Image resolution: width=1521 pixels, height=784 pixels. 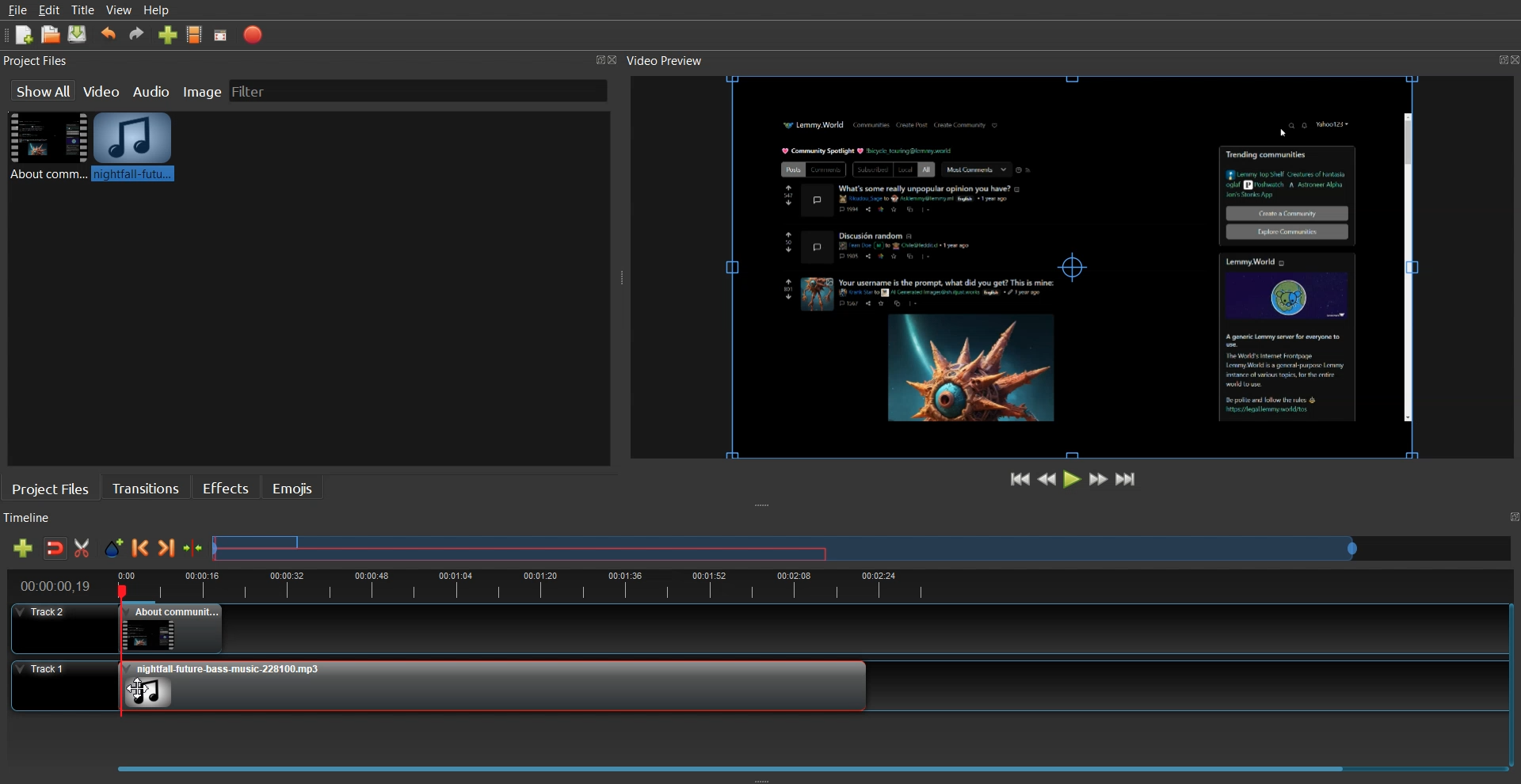 What do you see at coordinates (153, 90) in the screenshot?
I see `Audio` at bounding box center [153, 90].